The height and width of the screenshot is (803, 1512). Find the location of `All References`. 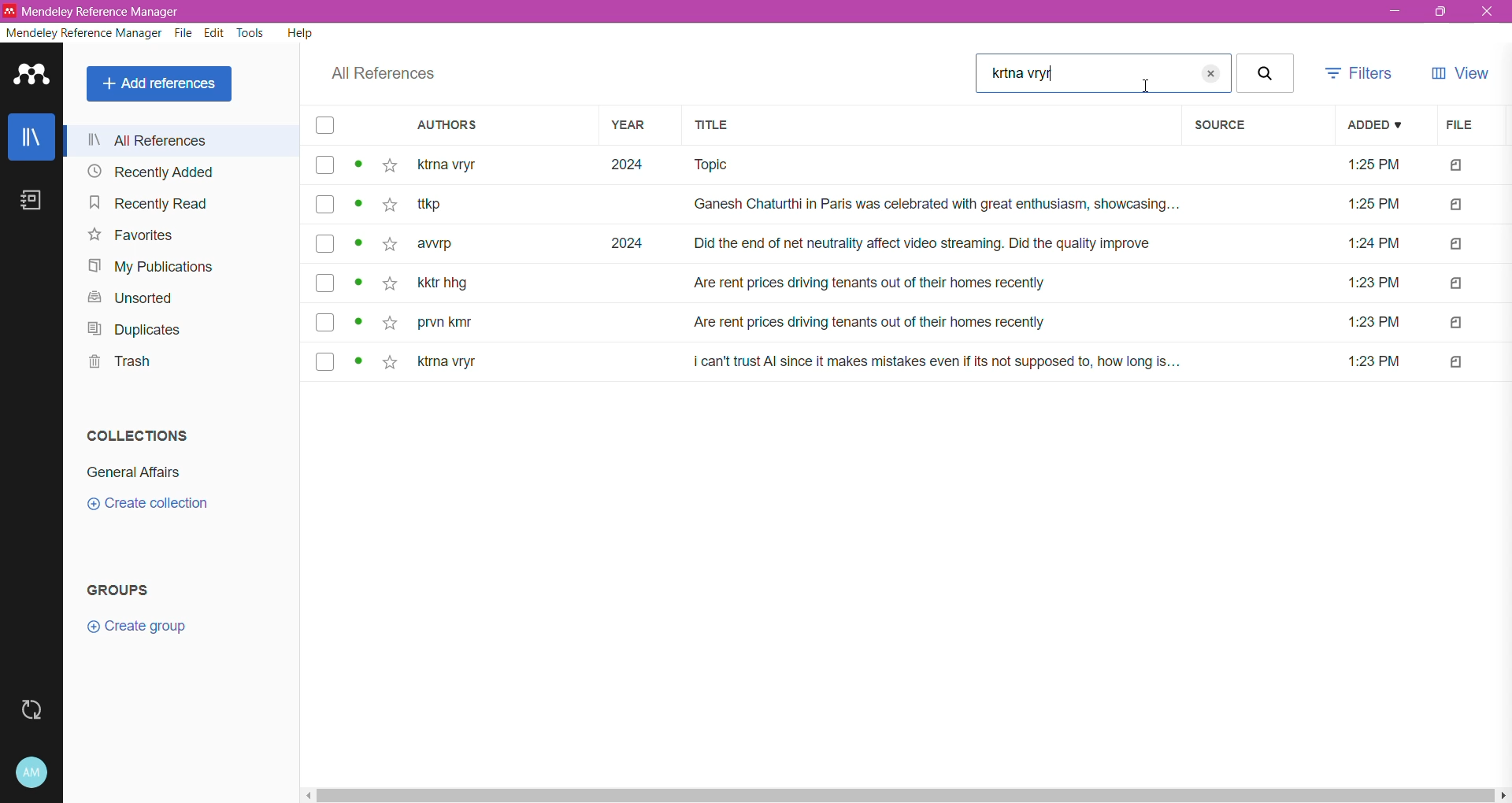

All References is located at coordinates (184, 139).